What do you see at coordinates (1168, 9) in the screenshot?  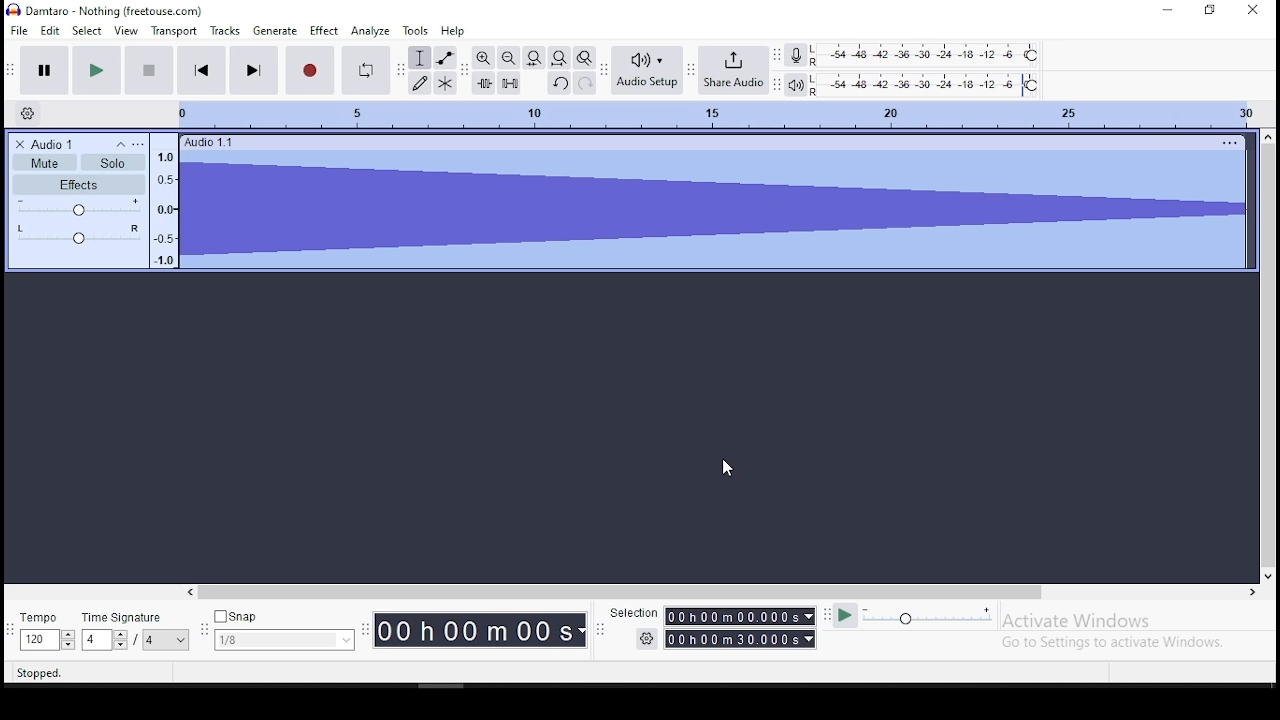 I see `` at bounding box center [1168, 9].